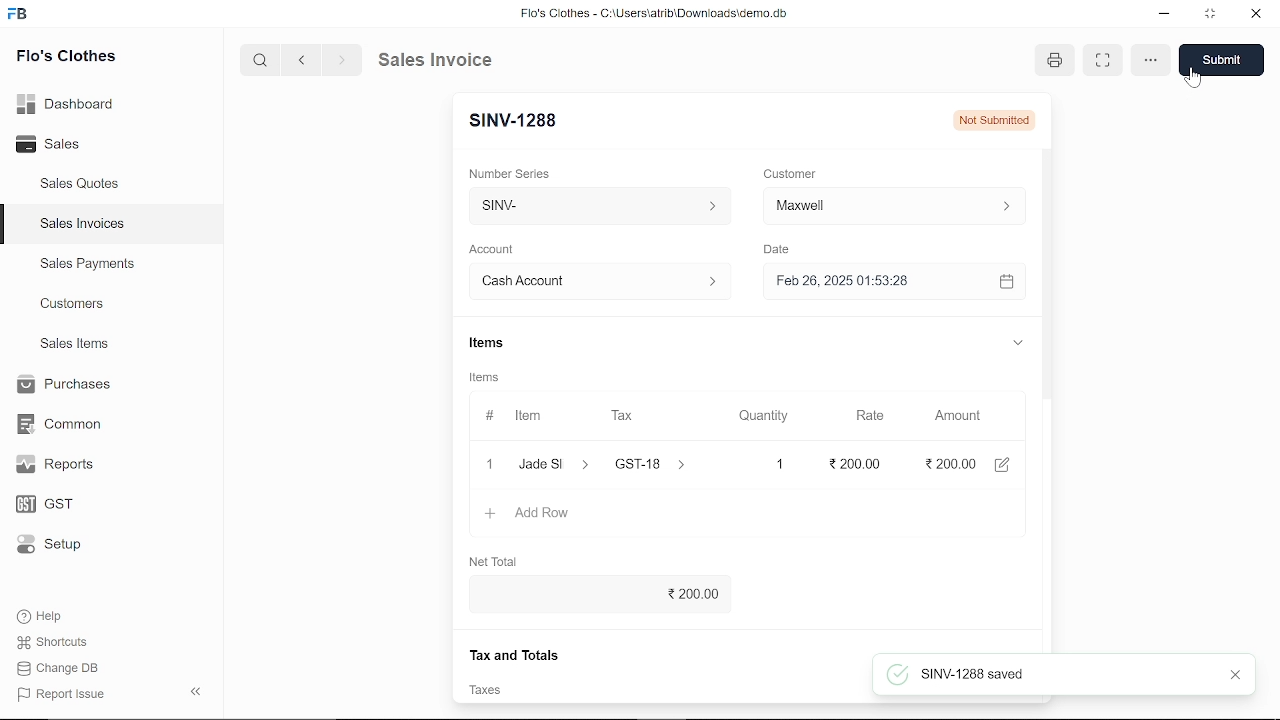 This screenshot has width=1280, height=720. Describe the element at coordinates (792, 173) in the screenshot. I see `Customer` at that location.